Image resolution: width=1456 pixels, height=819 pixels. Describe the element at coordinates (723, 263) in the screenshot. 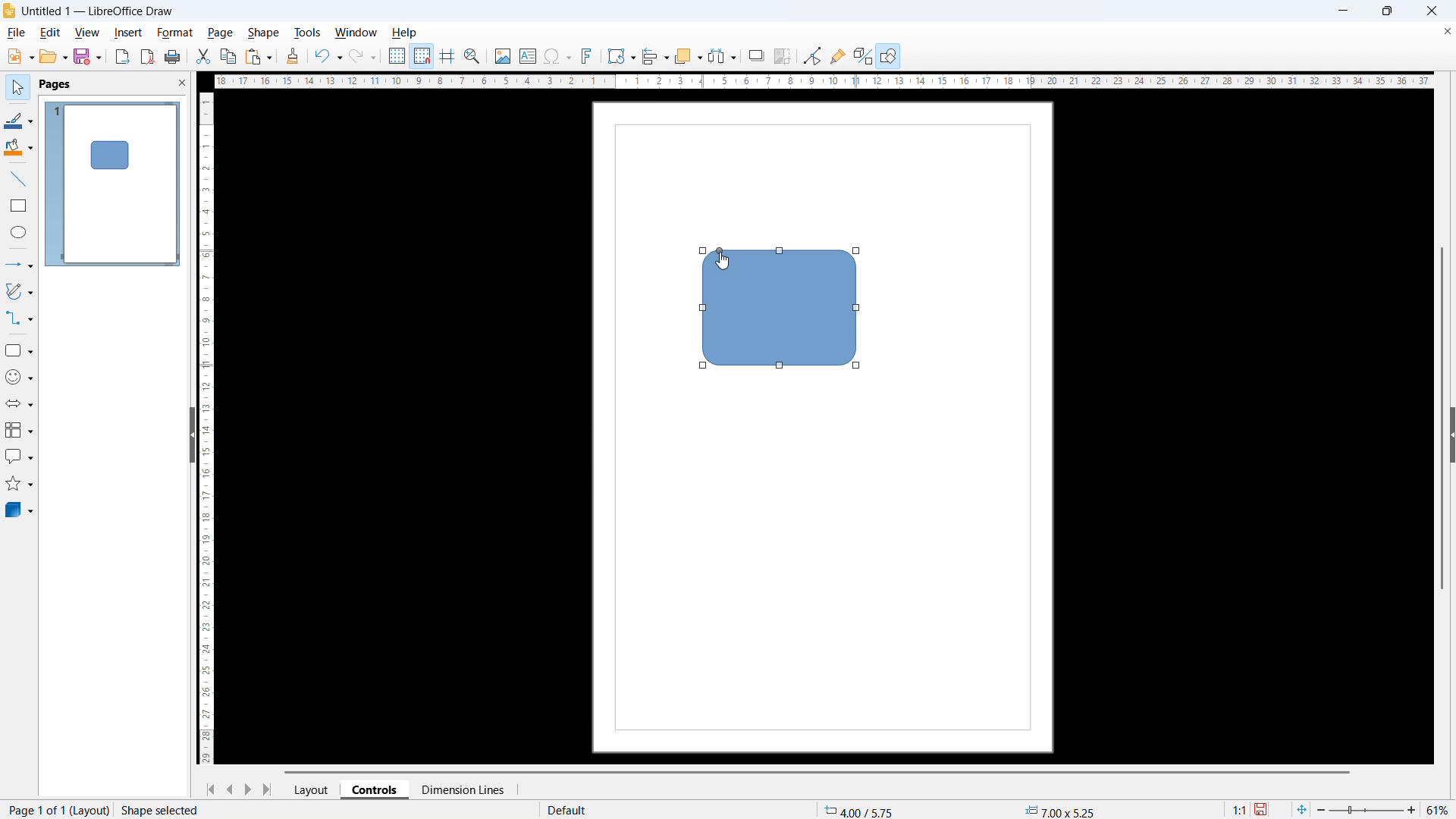

I see `cursor` at that location.